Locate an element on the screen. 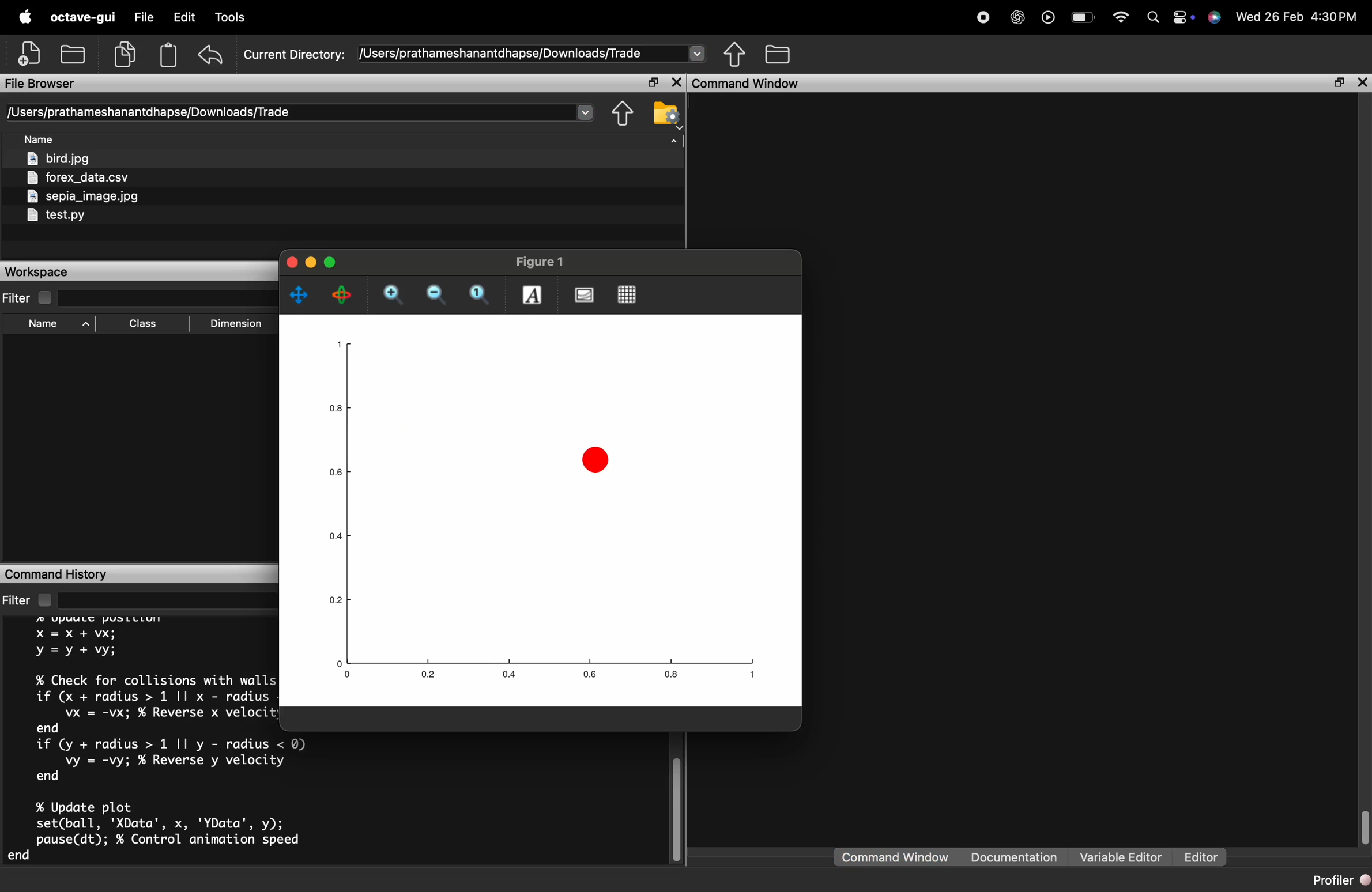  Wed 26 Feb 4:30PM is located at coordinates (1297, 17).